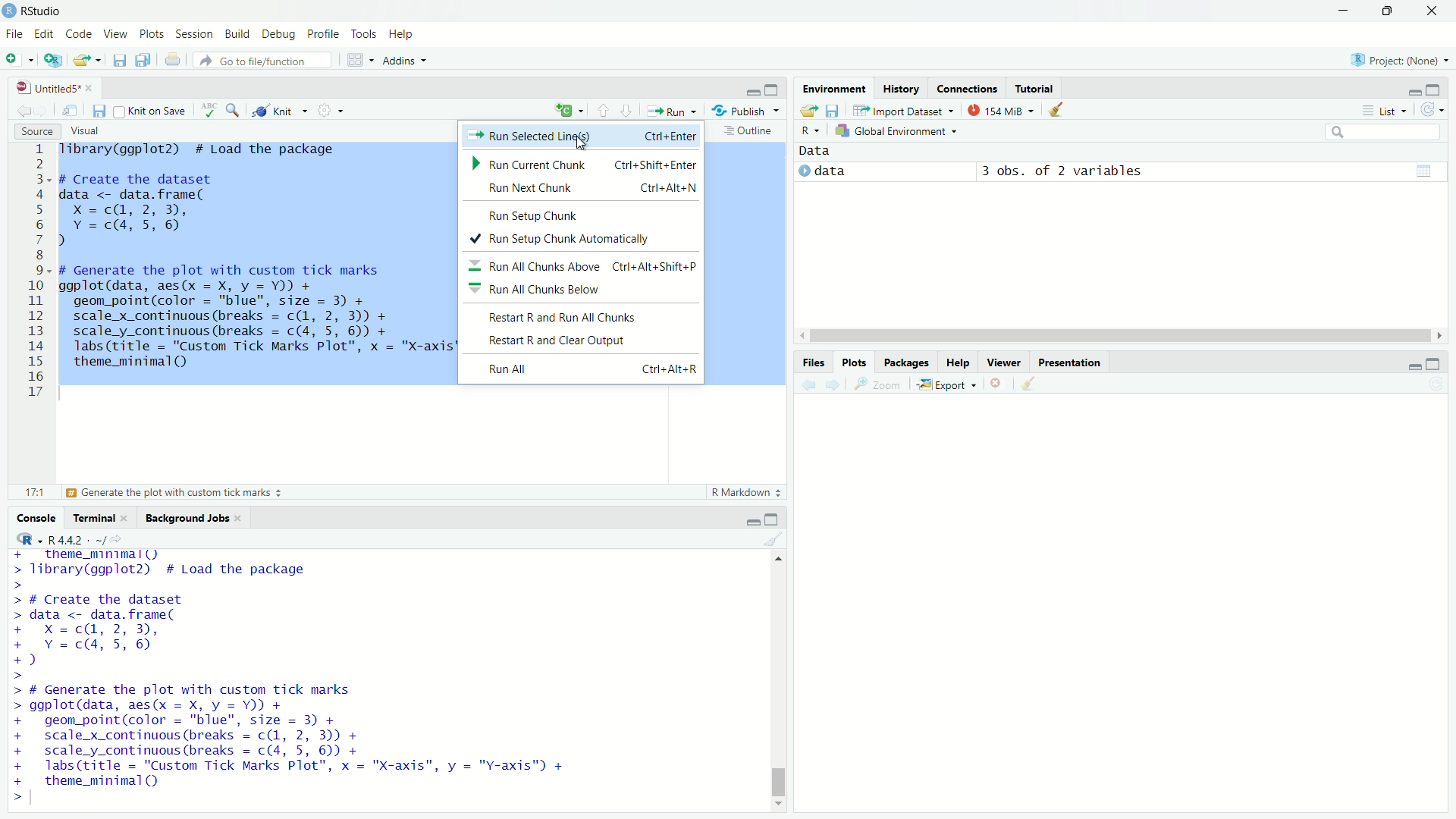 The image size is (1456, 819). What do you see at coordinates (1442, 364) in the screenshot?
I see `maximize` at bounding box center [1442, 364].